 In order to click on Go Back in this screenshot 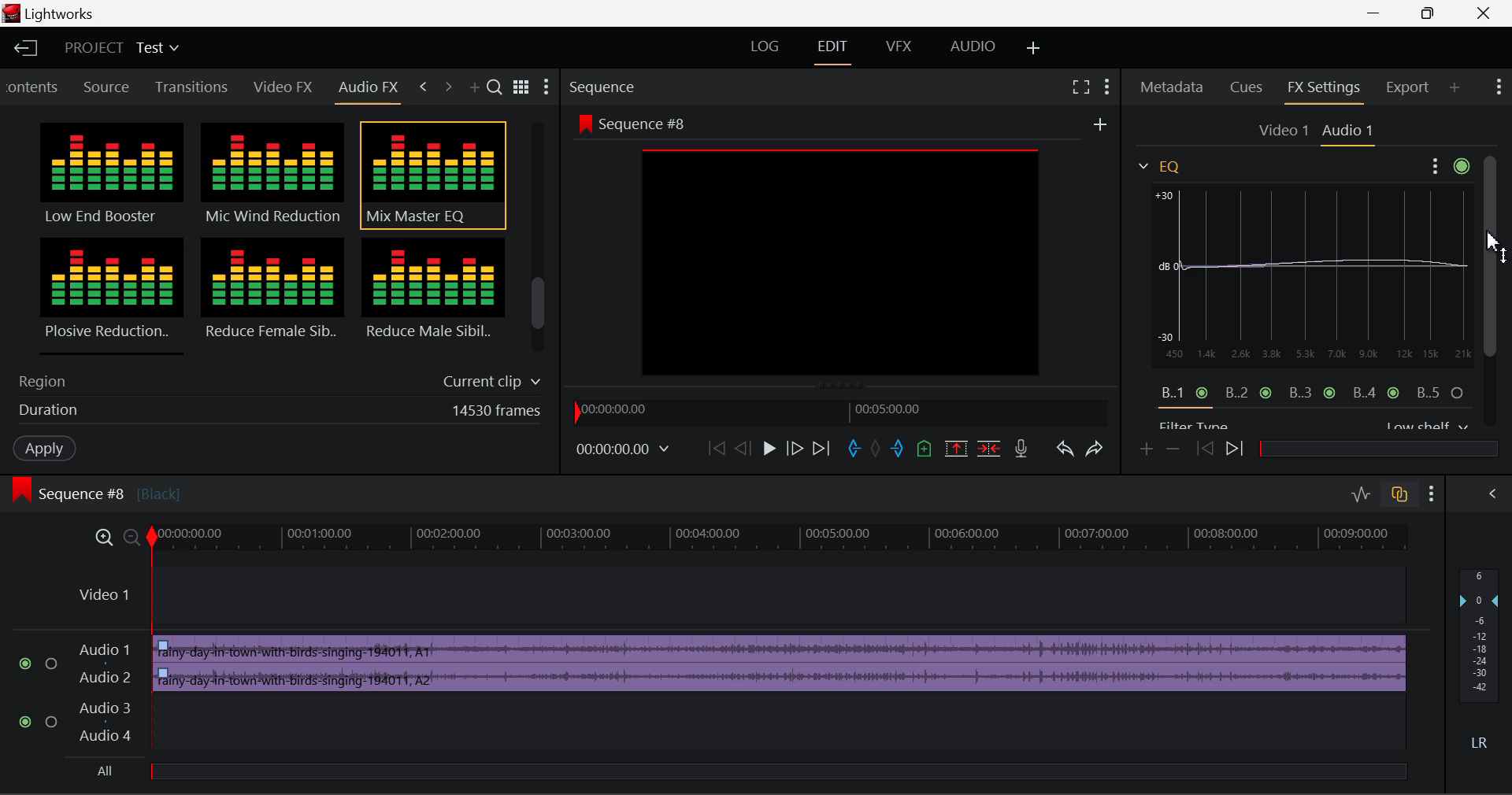, I will do `click(743, 449)`.